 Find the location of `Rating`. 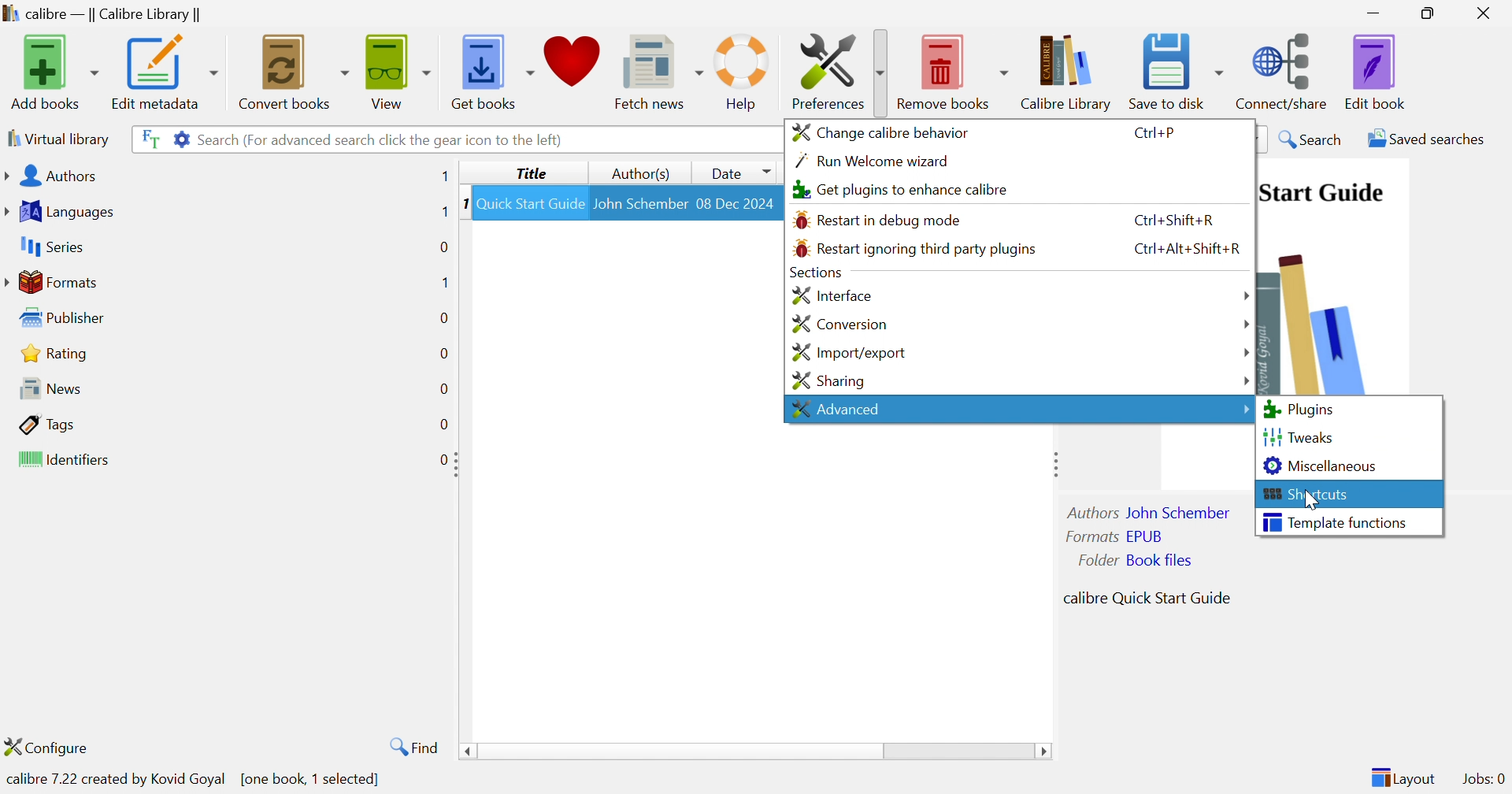

Rating is located at coordinates (57, 353).